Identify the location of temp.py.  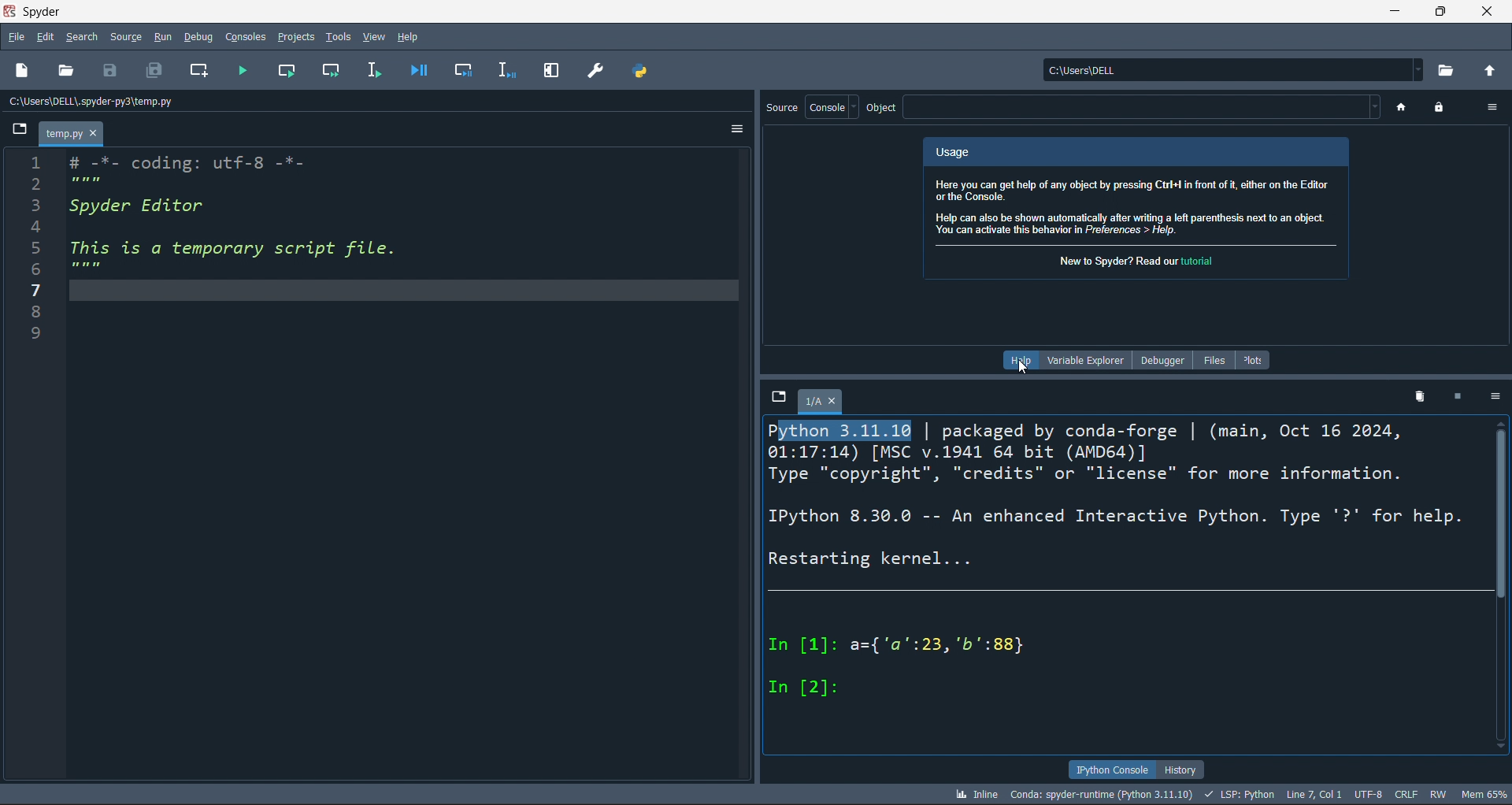
(73, 133).